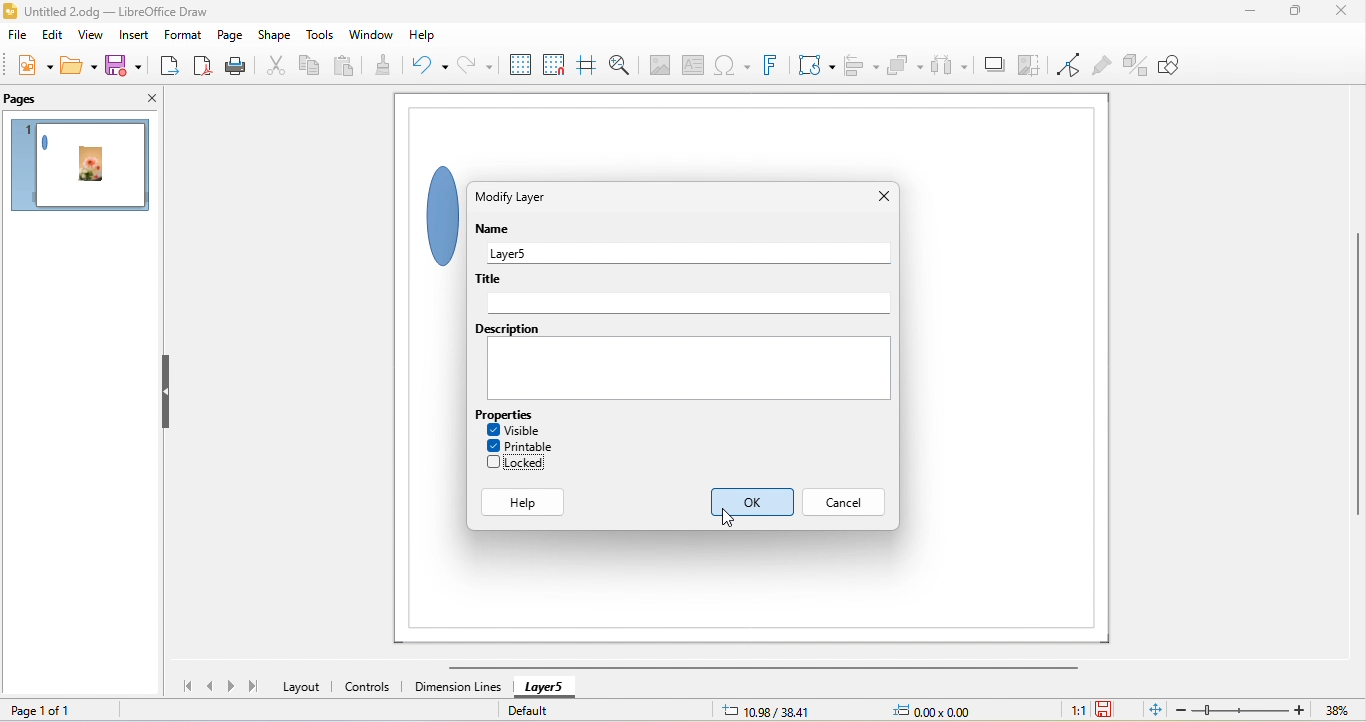 The height and width of the screenshot is (722, 1366). Describe the element at coordinates (1290, 14) in the screenshot. I see `maximize` at that location.